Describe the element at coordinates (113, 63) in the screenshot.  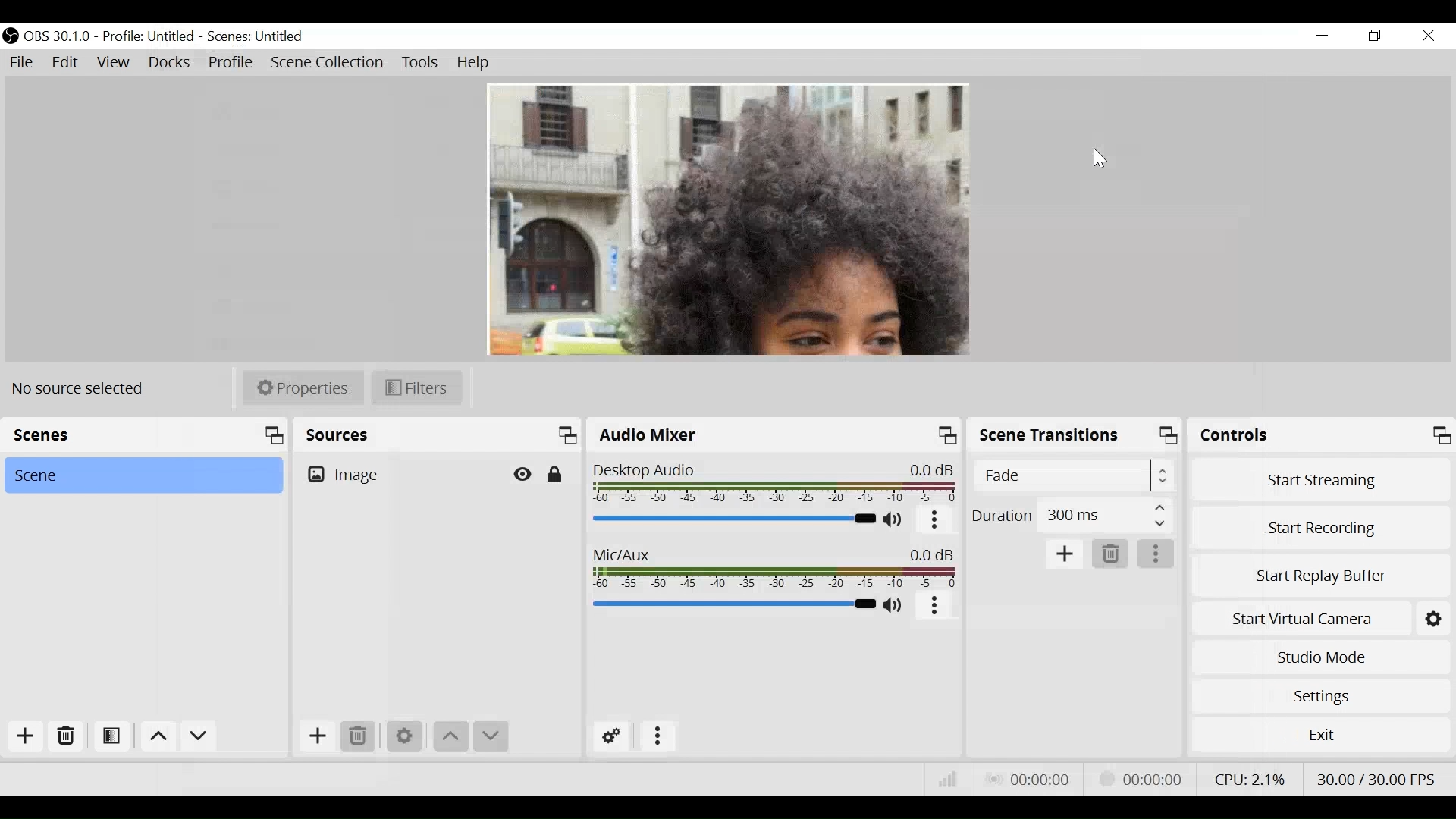
I see `View` at that location.